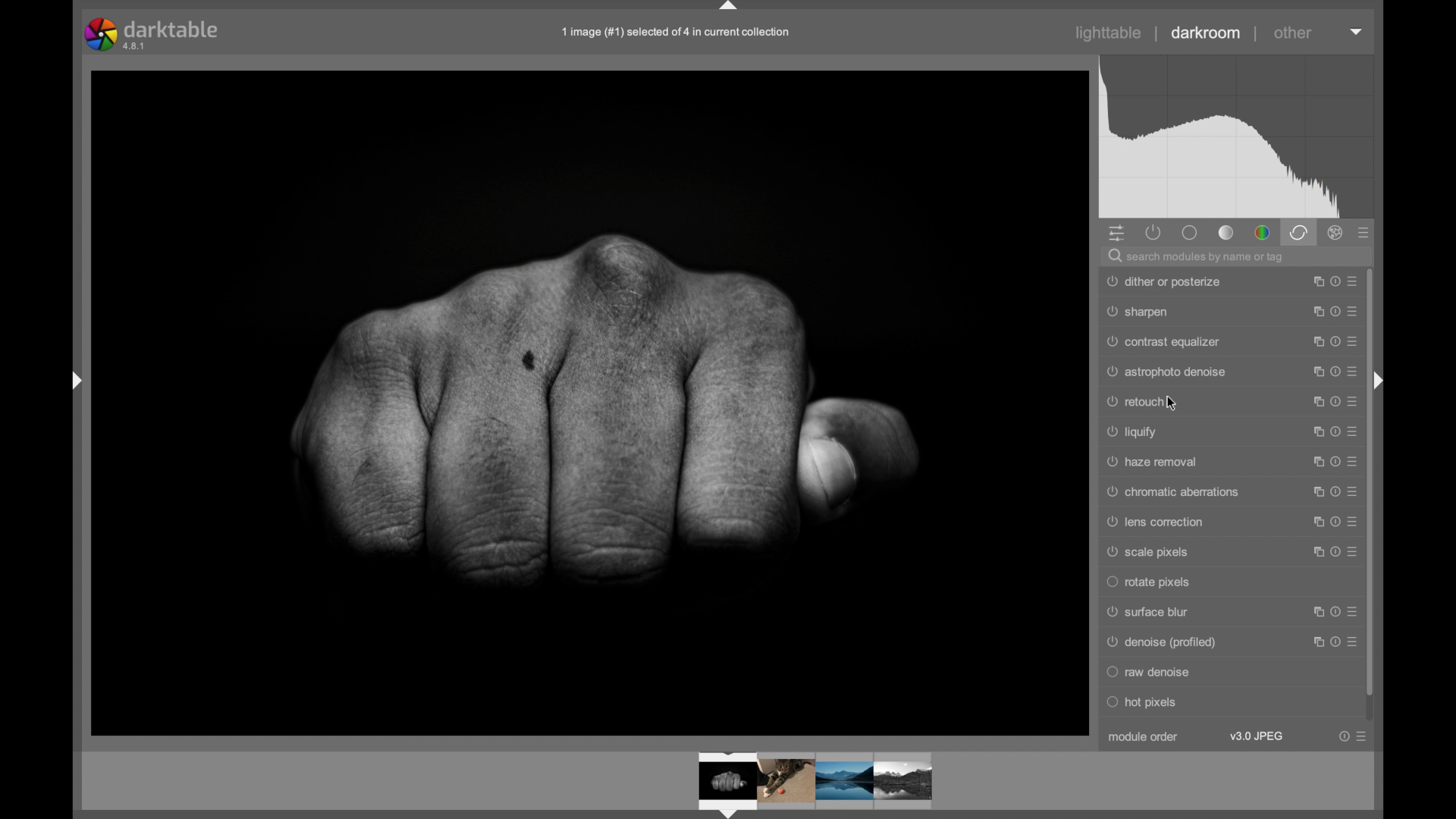 This screenshot has width=1456, height=819. Describe the element at coordinates (1142, 703) in the screenshot. I see `hot pixels` at that location.